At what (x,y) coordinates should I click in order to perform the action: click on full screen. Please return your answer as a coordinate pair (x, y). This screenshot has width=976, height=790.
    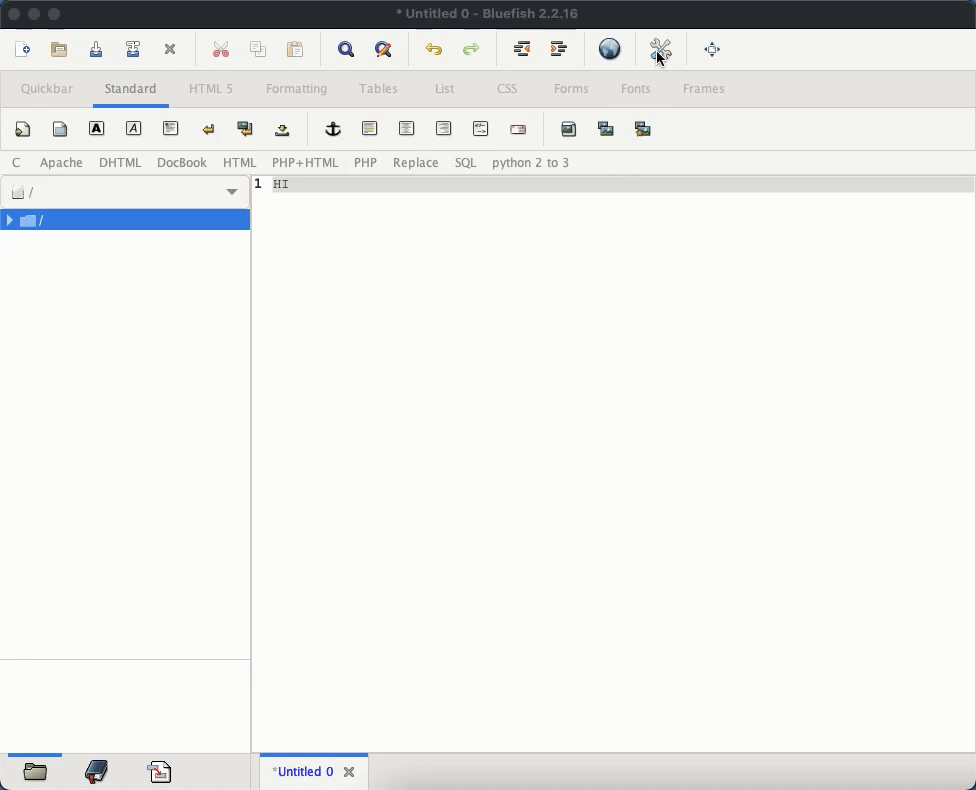
    Looking at the image, I should click on (713, 50).